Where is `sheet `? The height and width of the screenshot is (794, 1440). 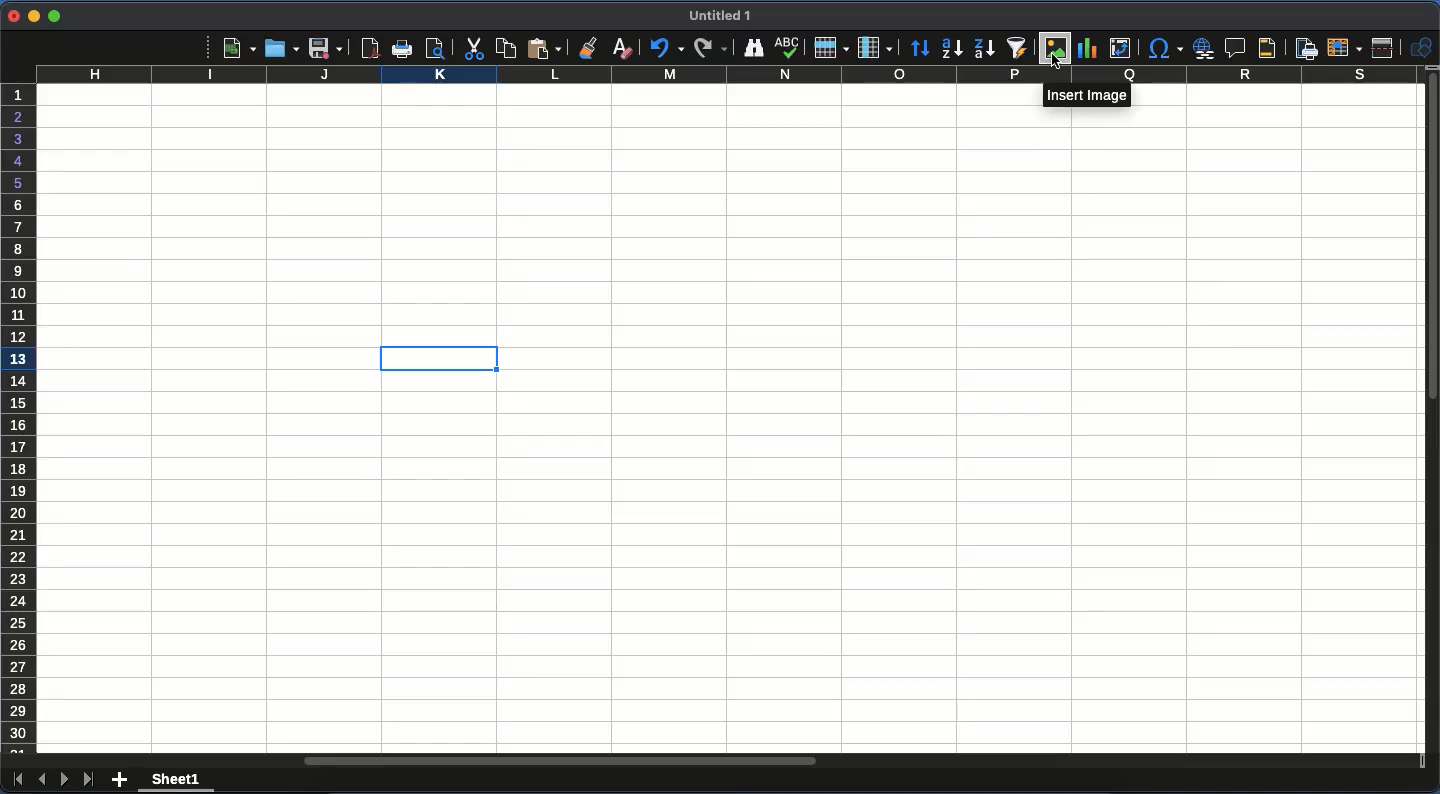
sheet  is located at coordinates (176, 782).